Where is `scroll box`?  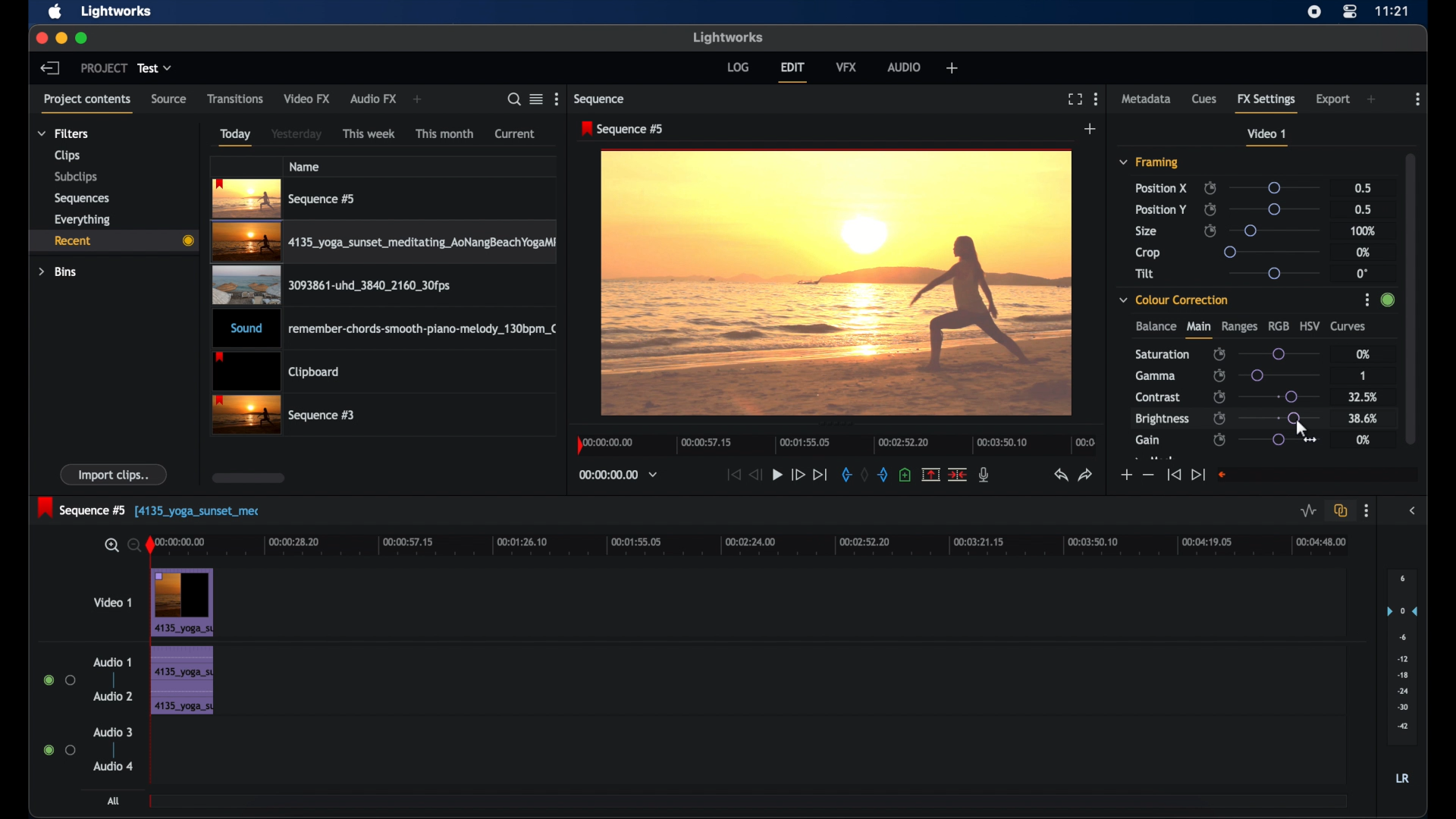 scroll box is located at coordinates (249, 478).